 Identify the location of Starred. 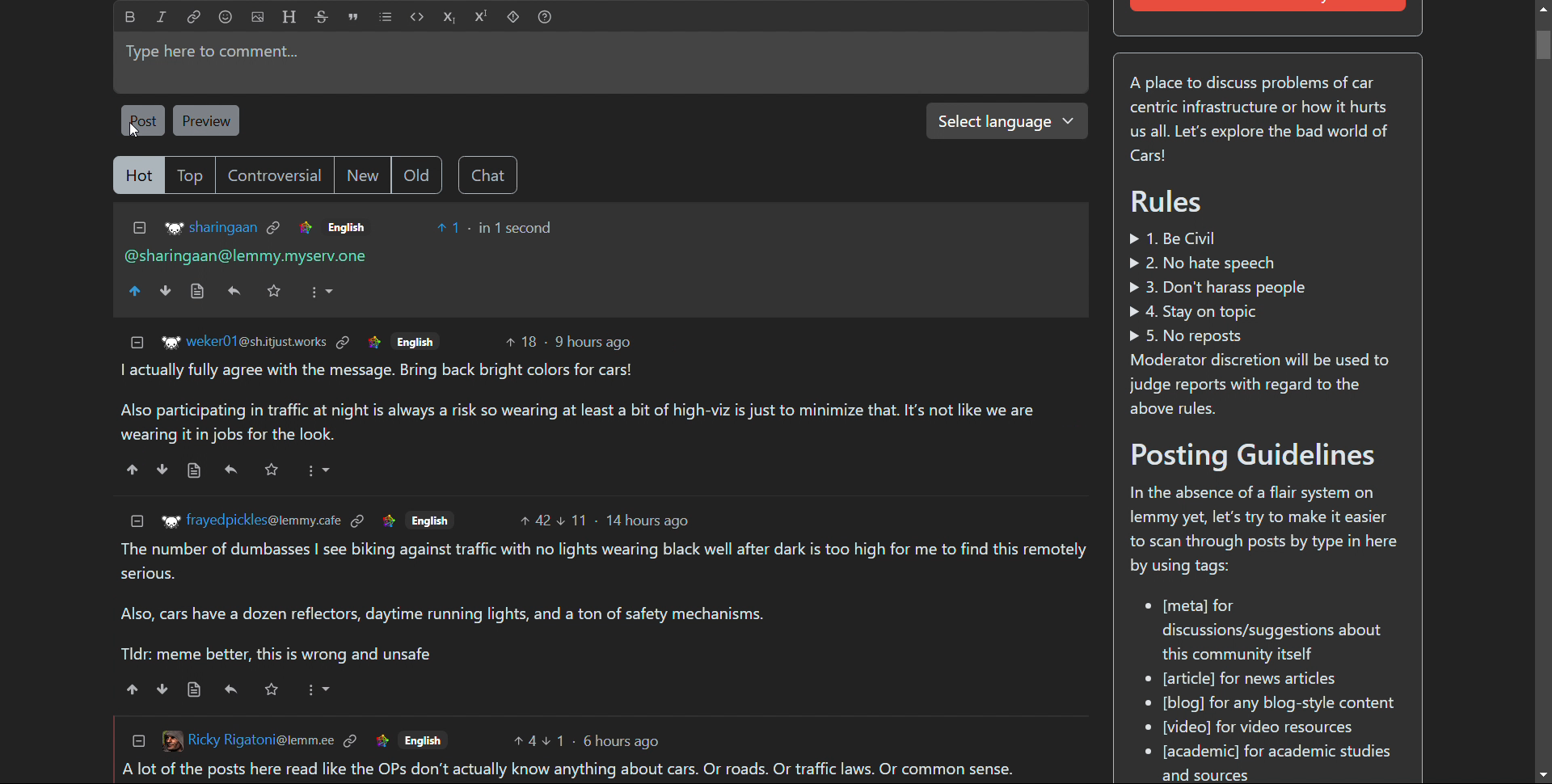
(272, 470).